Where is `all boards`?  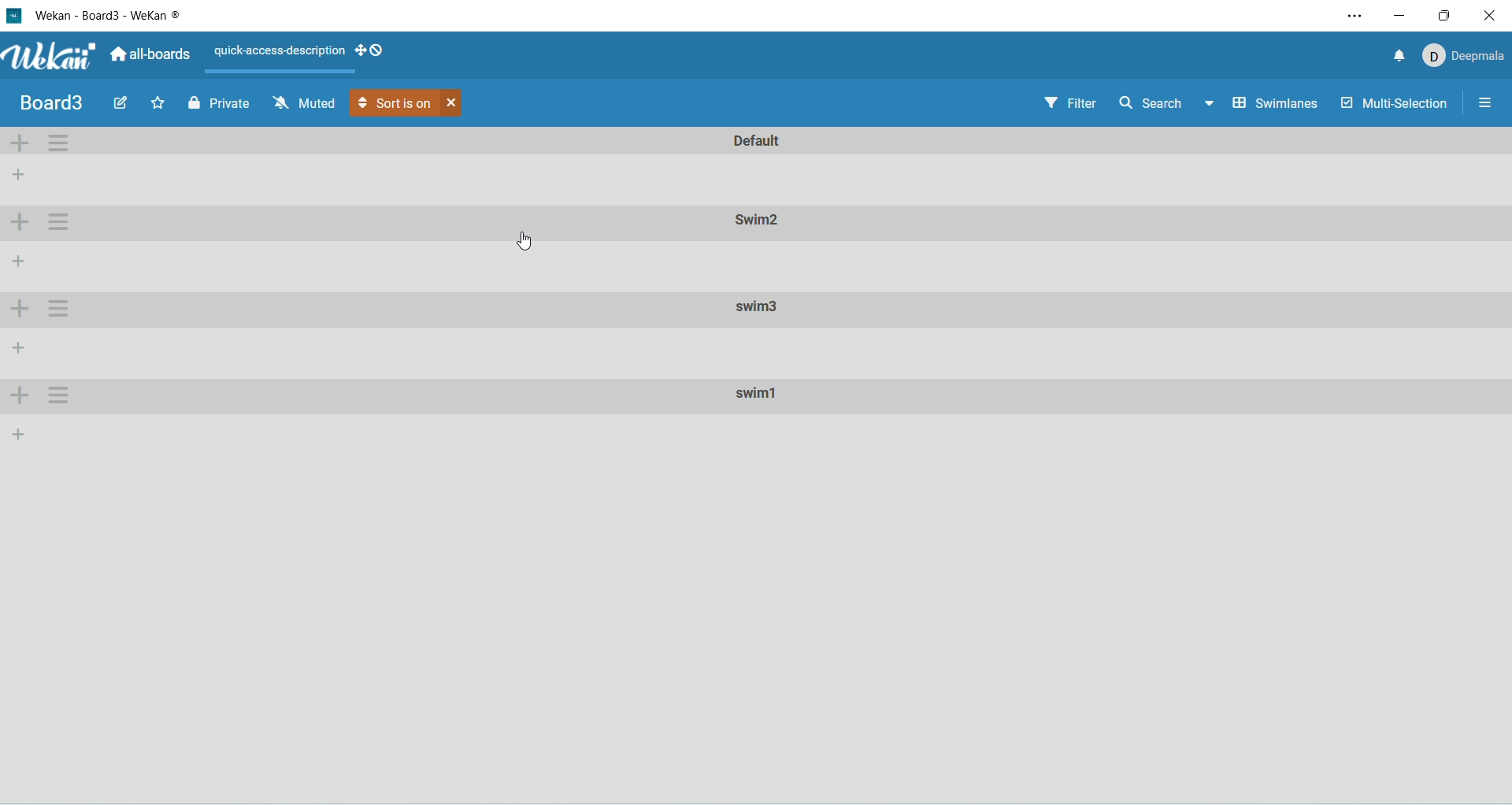 all boards is located at coordinates (154, 55).